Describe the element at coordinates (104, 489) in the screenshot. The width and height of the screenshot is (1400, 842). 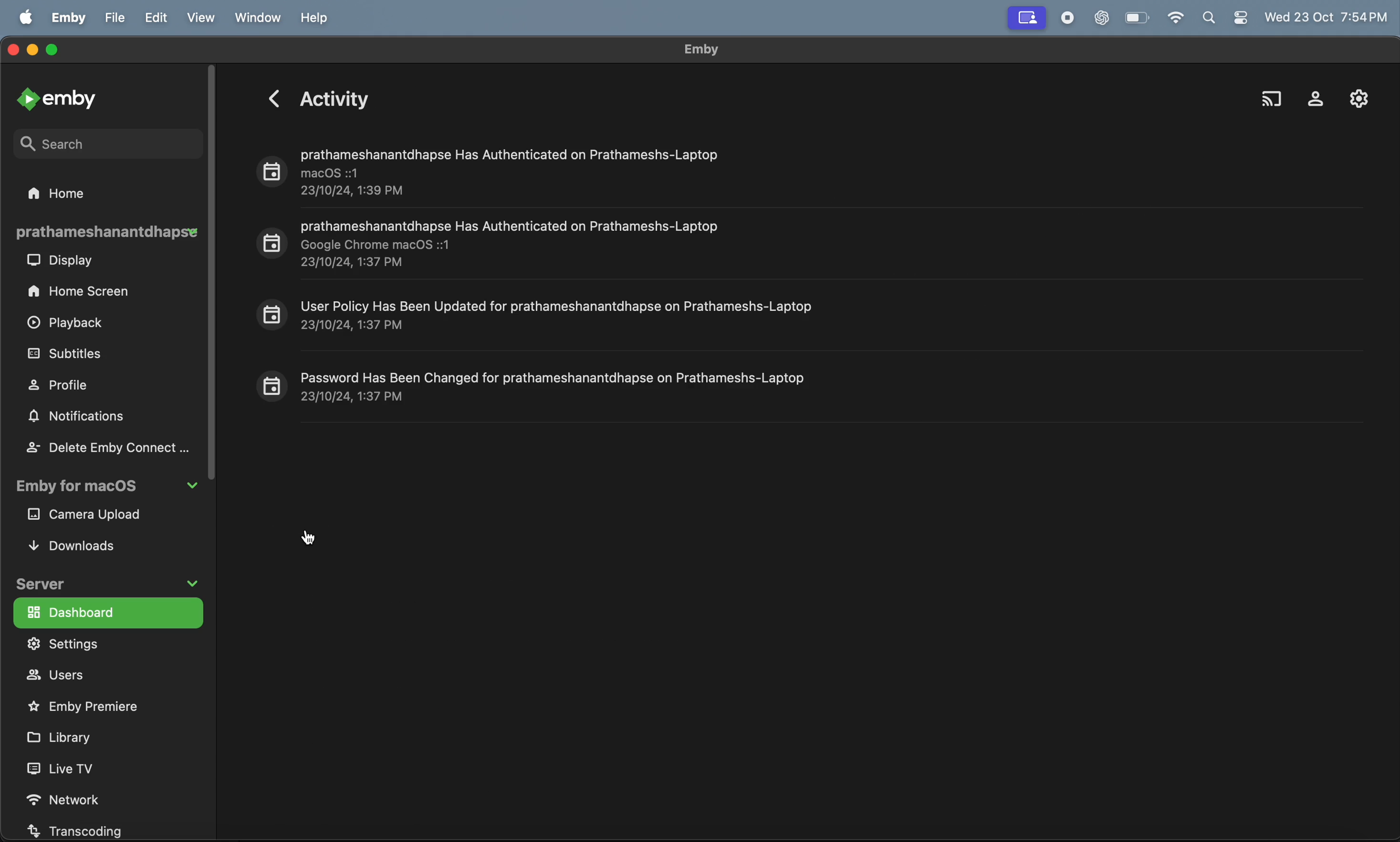
I see `emby for mac os` at that location.